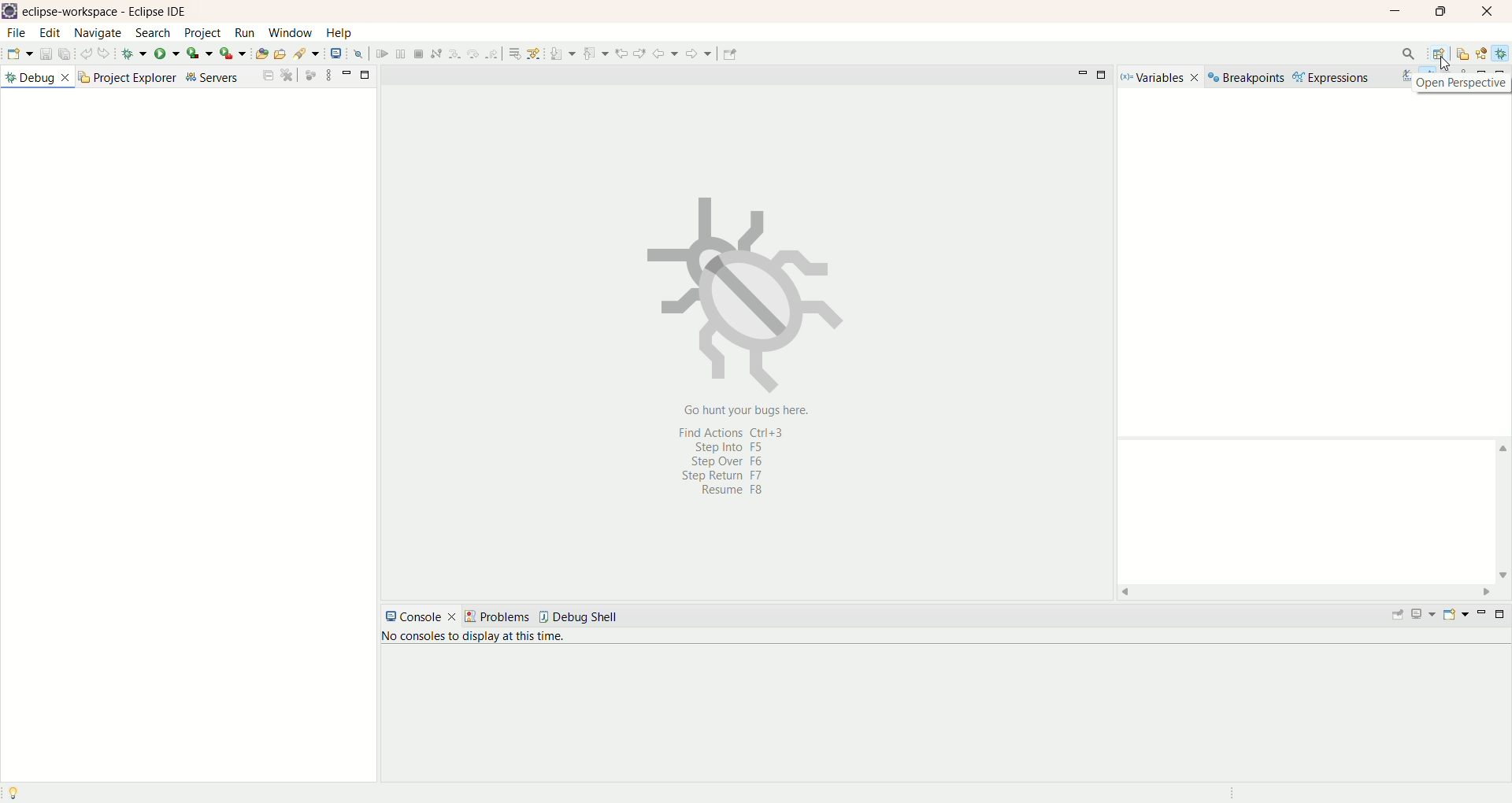  What do you see at coordinates (204, 33) in the screenshot?
I see `project` at bounding box center [204, 33].